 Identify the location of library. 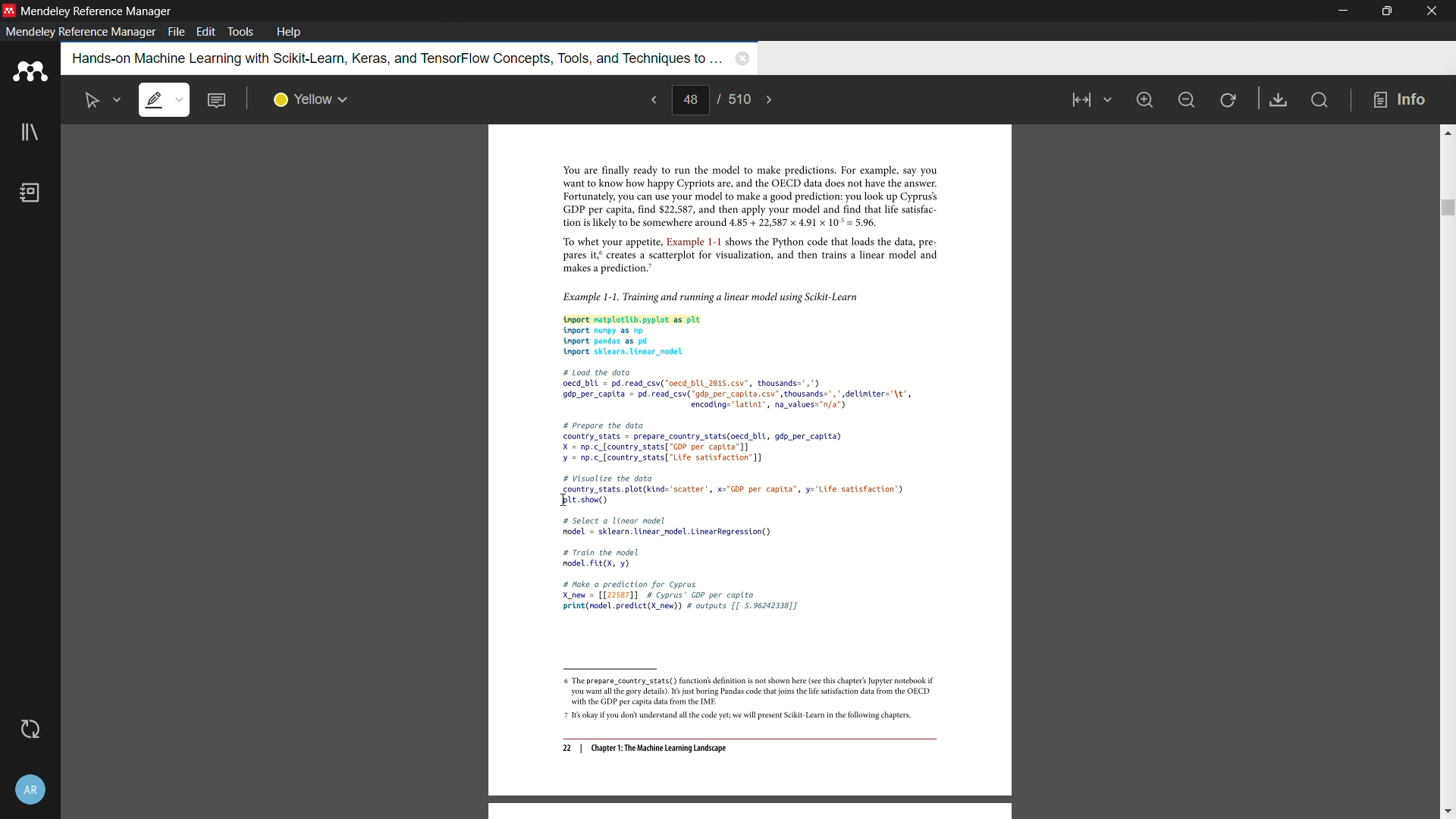
(30, 133).